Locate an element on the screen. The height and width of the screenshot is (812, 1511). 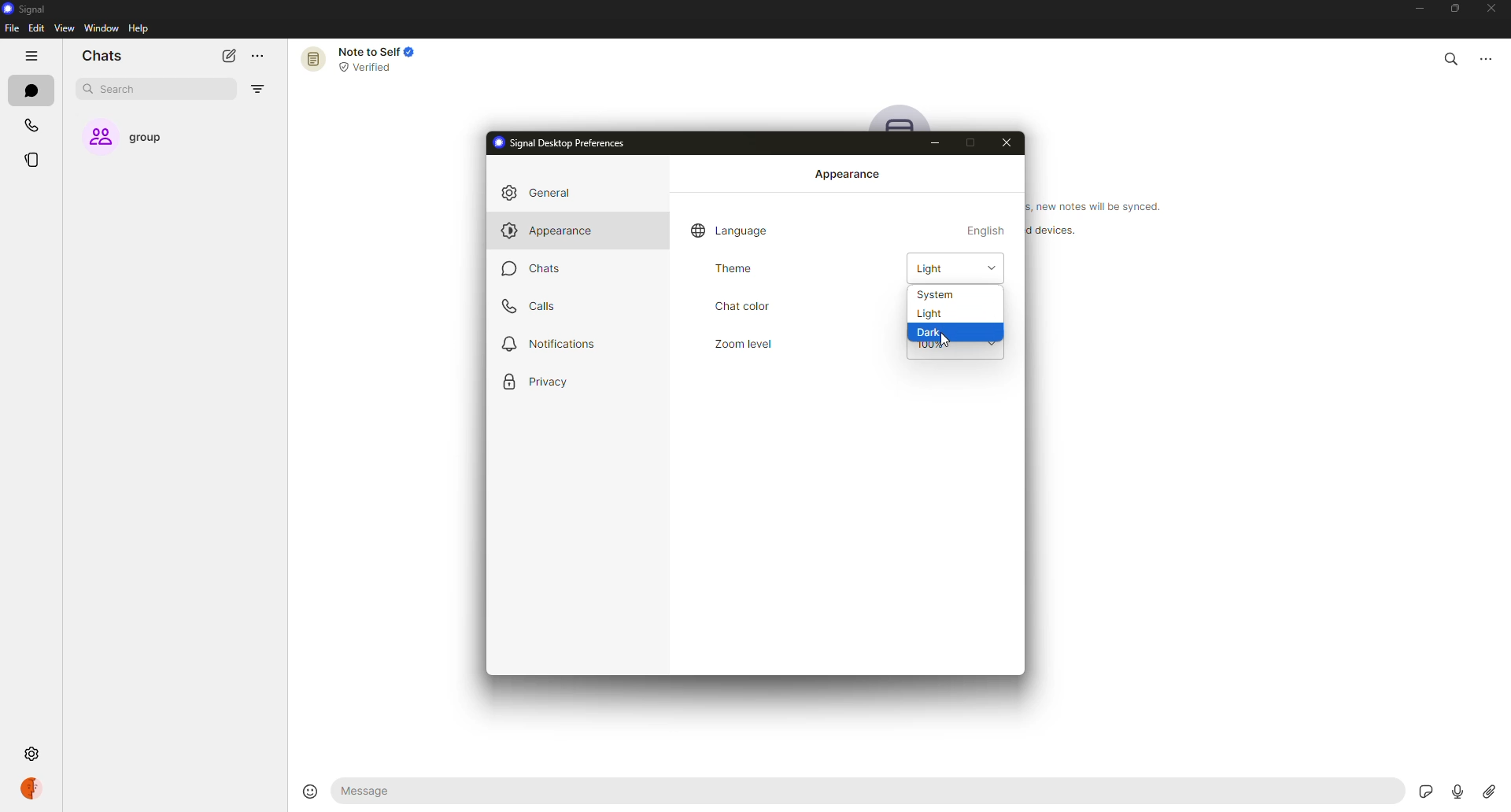
help is located at coordinates (140, 28).